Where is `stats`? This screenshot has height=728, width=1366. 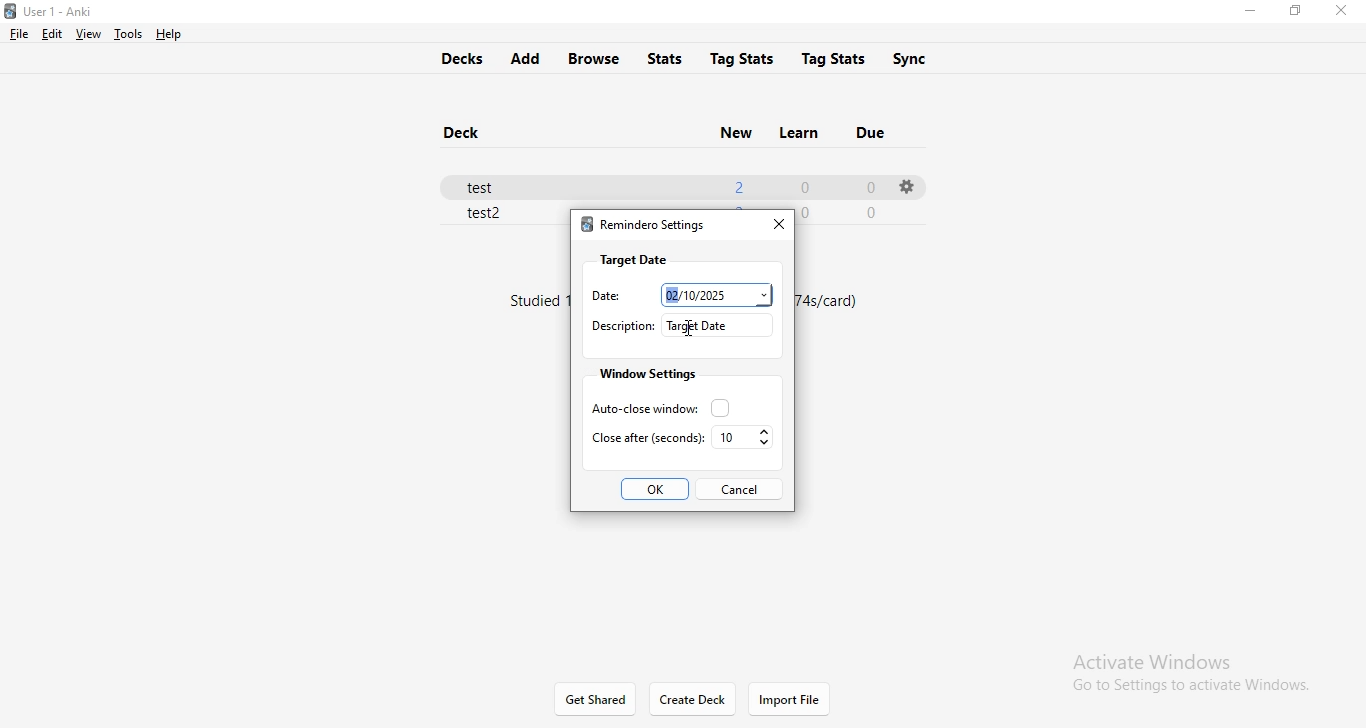 stats is located at coordinates (669, 56).